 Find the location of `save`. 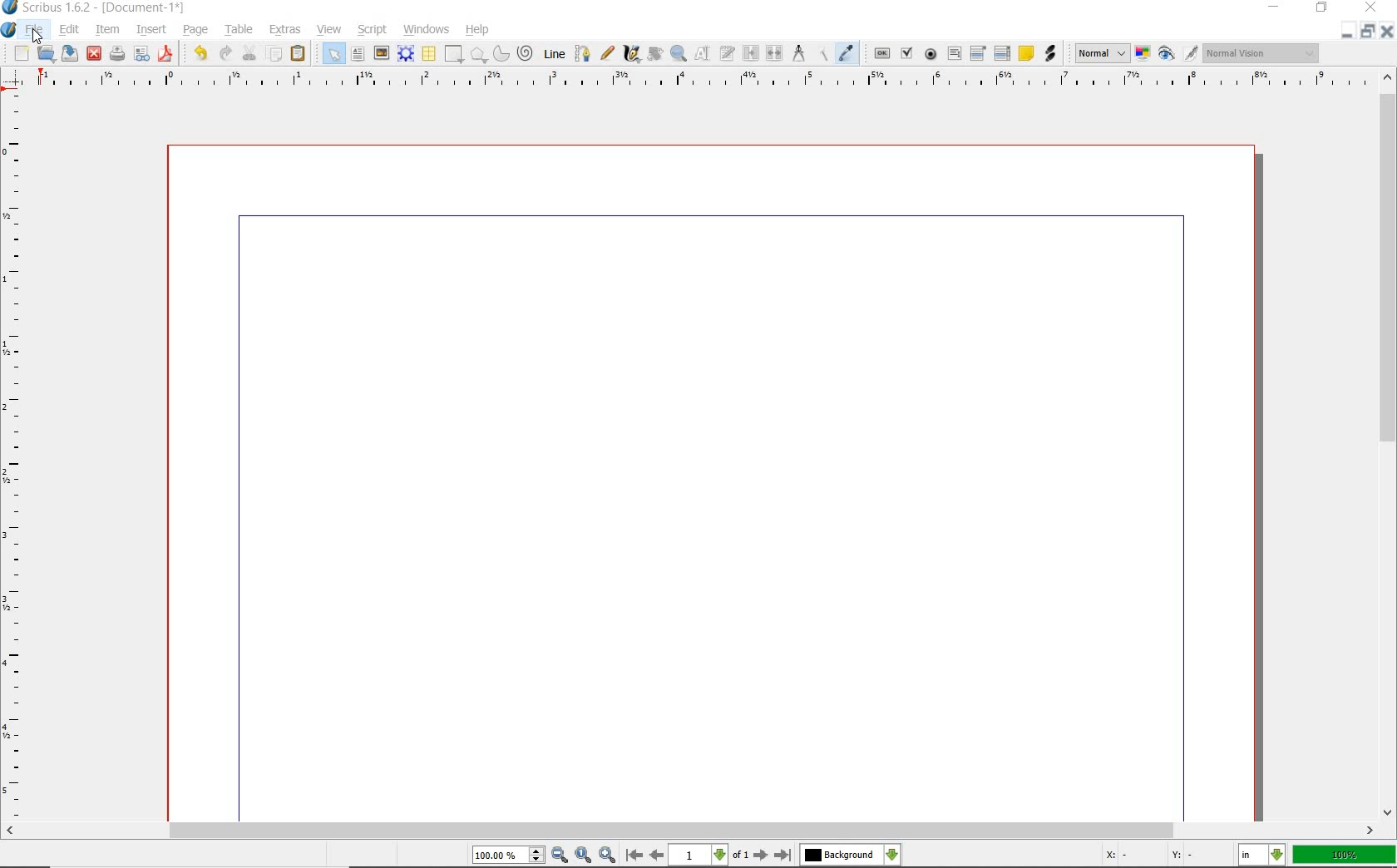

save is located at coordinates (67, 53).